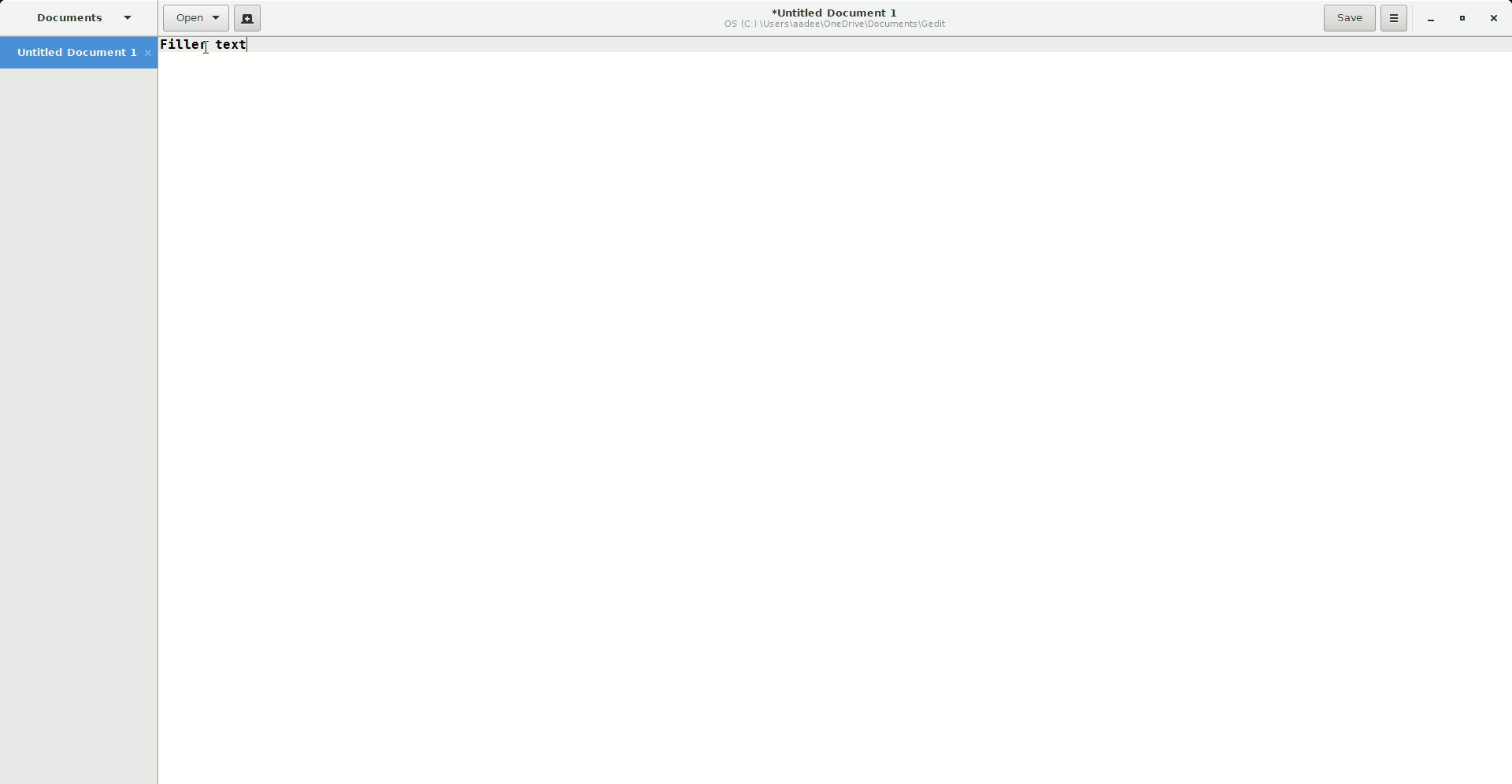 The width and height of the screenshot is (1512, 784). What do you see at coordinates (1496, 19) in the screenshot?
I see `Close` at bounding box center [1496, 19].